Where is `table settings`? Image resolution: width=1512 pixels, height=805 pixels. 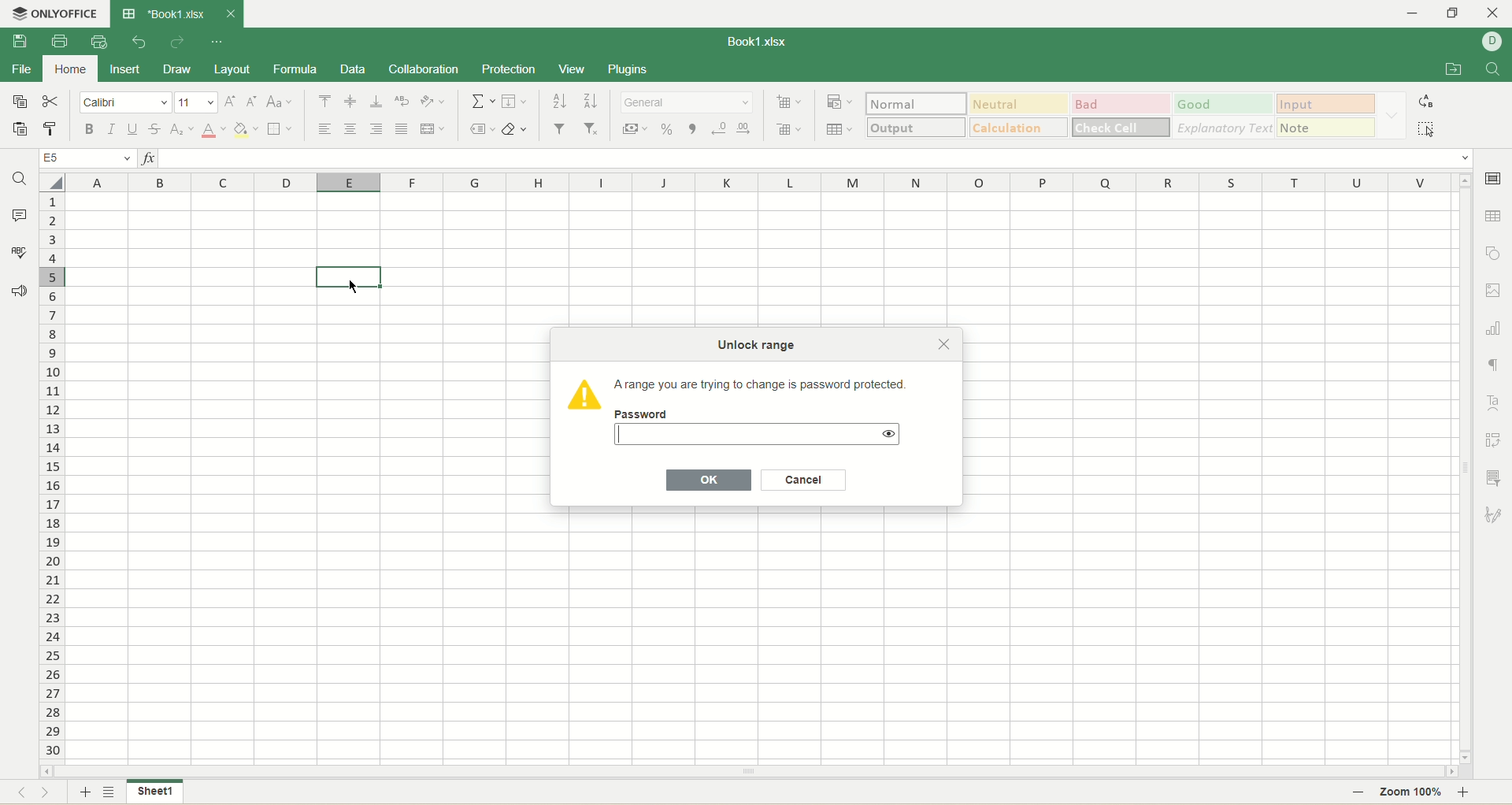
table settings is located at coordinates (1494, 217).